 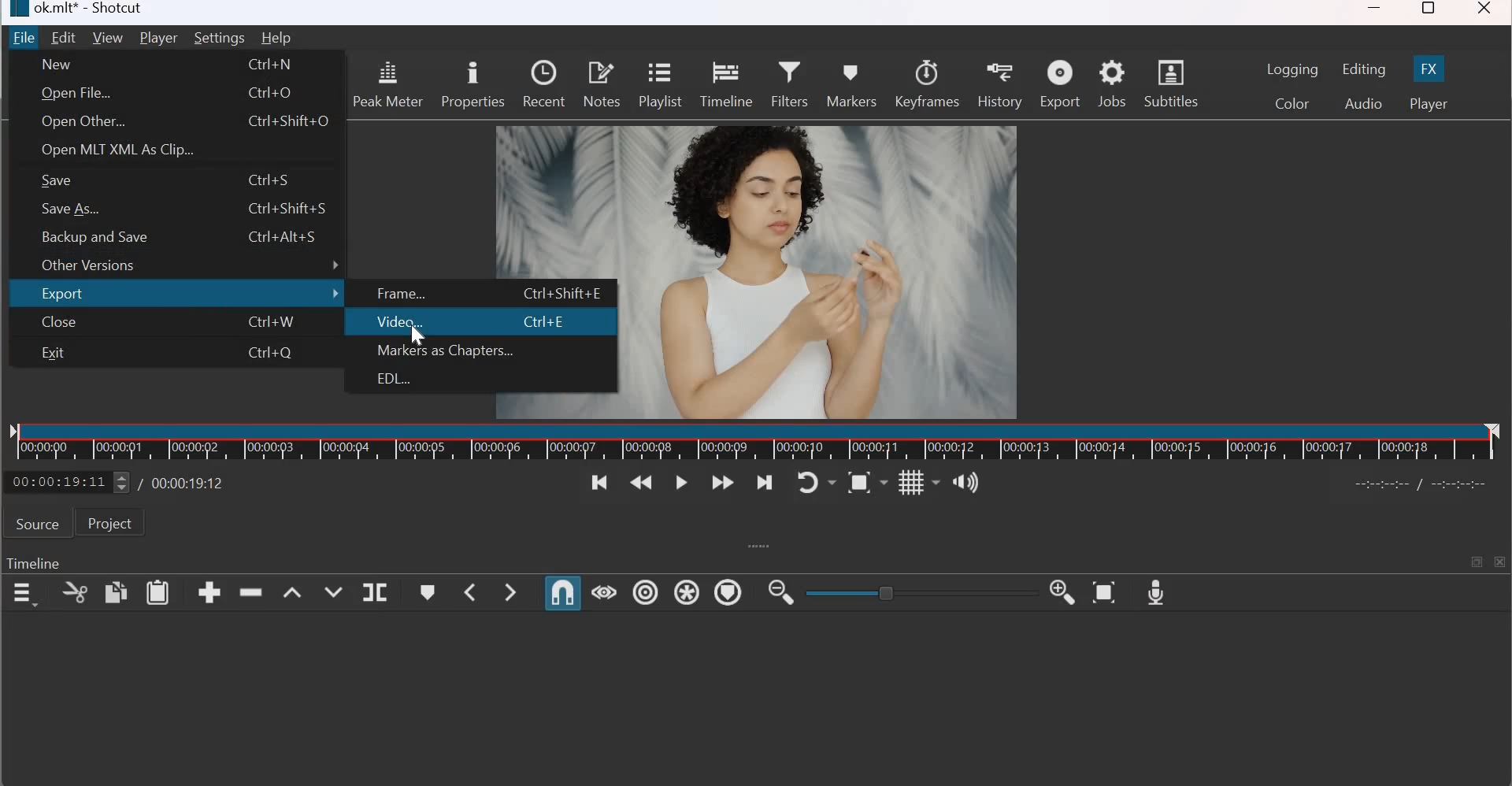 I want to click on close, so click(x=1501, y=562).